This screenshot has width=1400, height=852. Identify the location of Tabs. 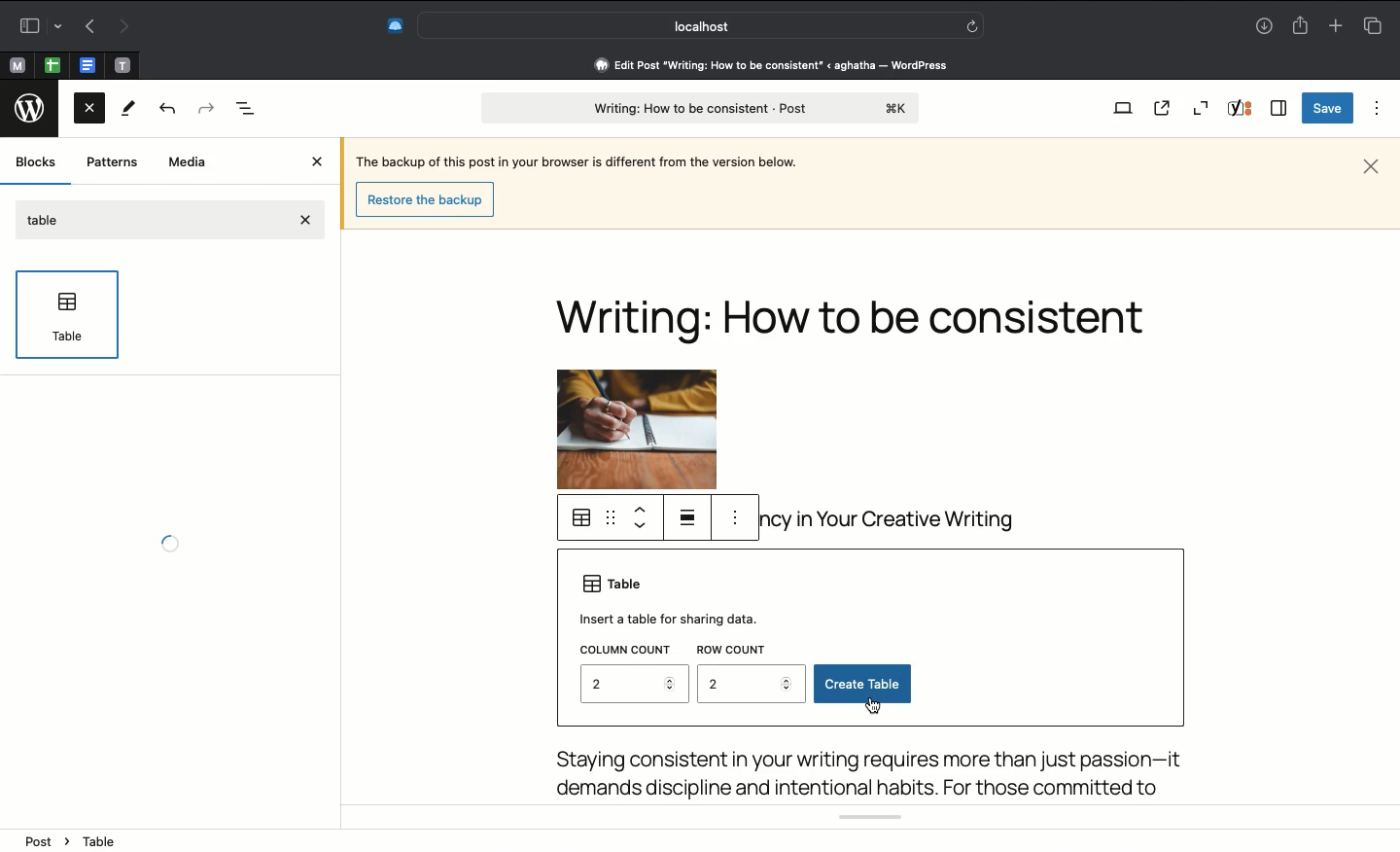
(1374, 25).